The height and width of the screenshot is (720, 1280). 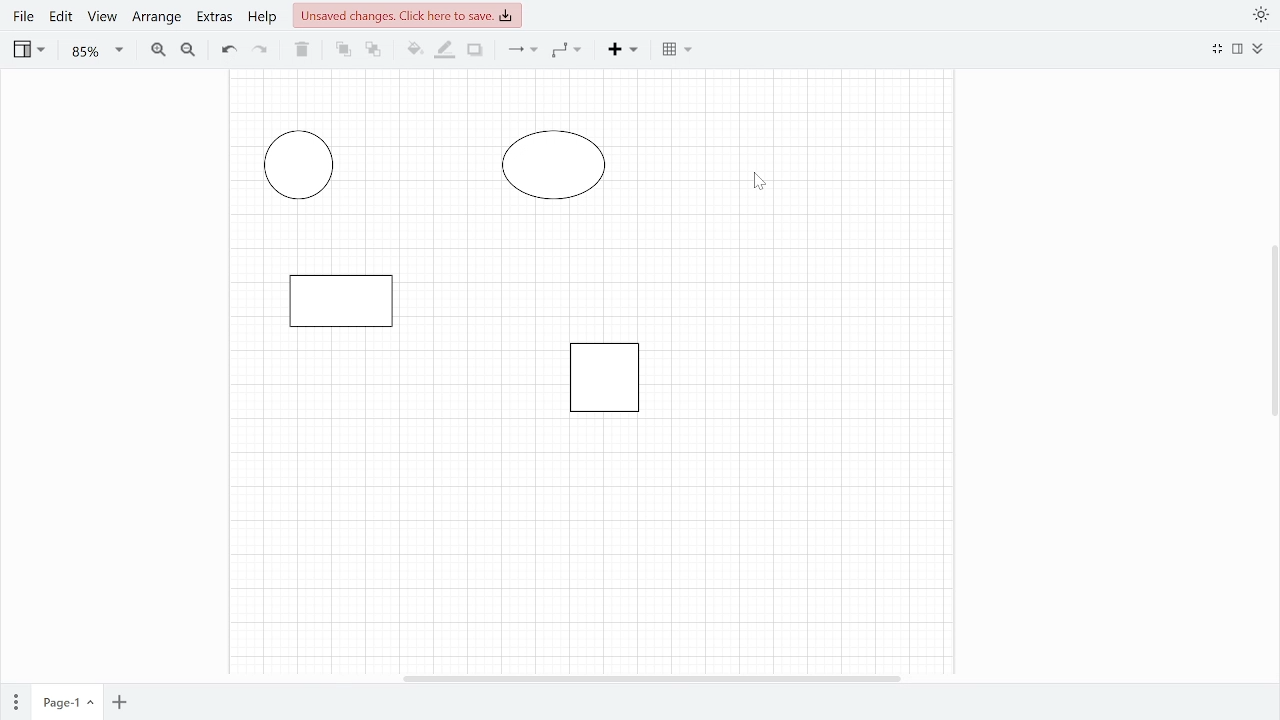 What do you see at coordinates (602, 376) in the screenshot?
I see `rectangle` at bounding box center [602, 376].